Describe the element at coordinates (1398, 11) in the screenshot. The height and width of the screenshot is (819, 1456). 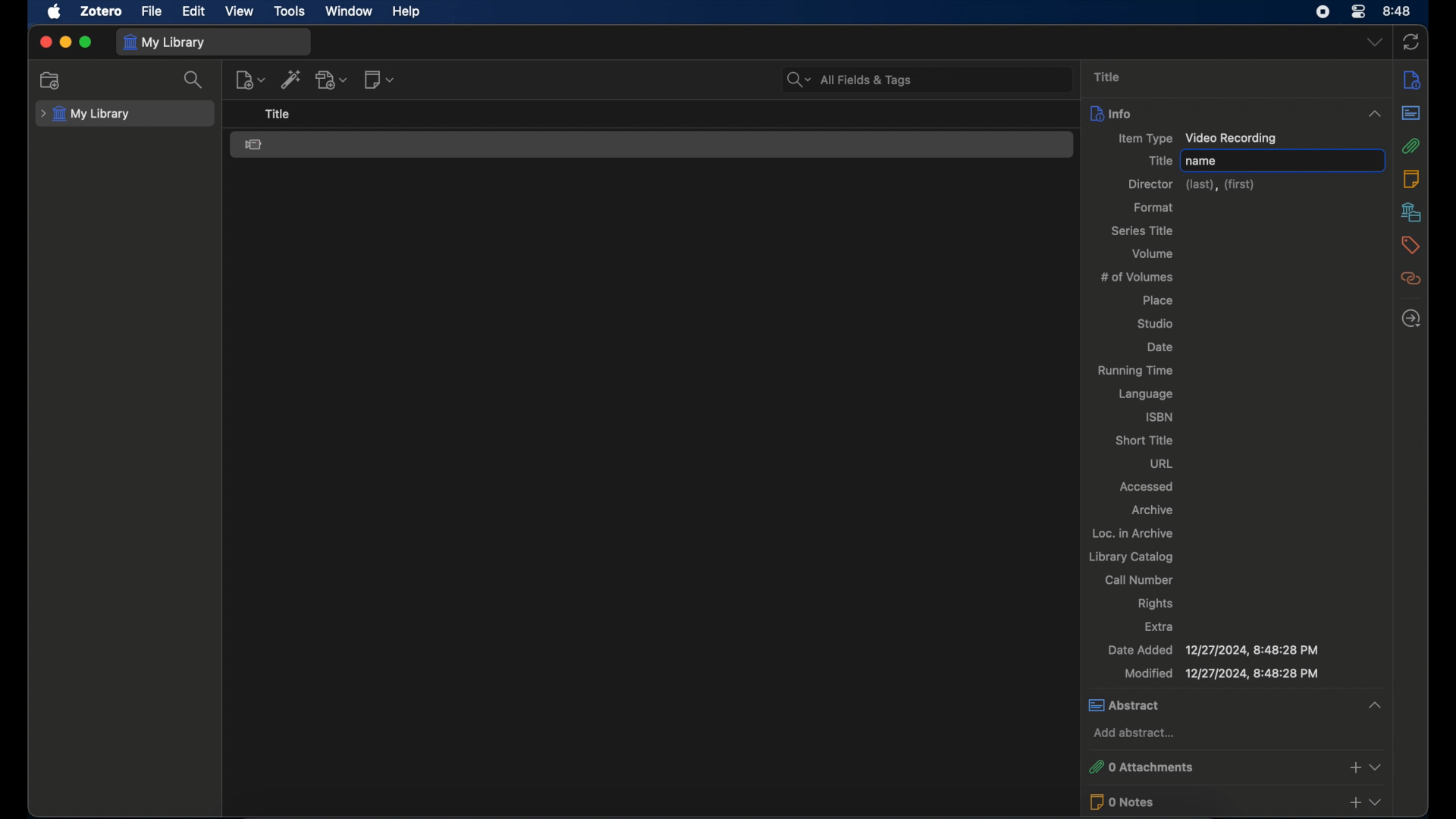
I see `time` at that location.